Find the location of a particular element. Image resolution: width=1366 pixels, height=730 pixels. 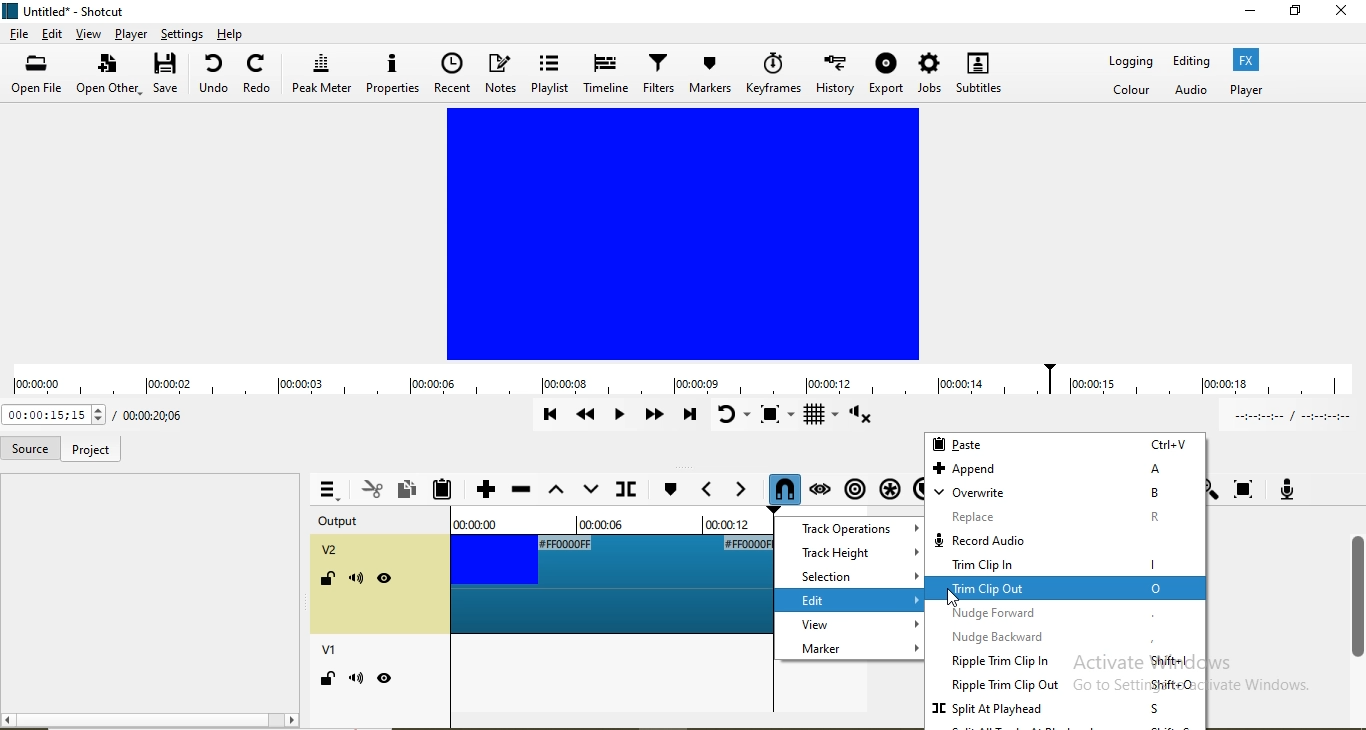

Next marker is located at coordinates (669, 490).